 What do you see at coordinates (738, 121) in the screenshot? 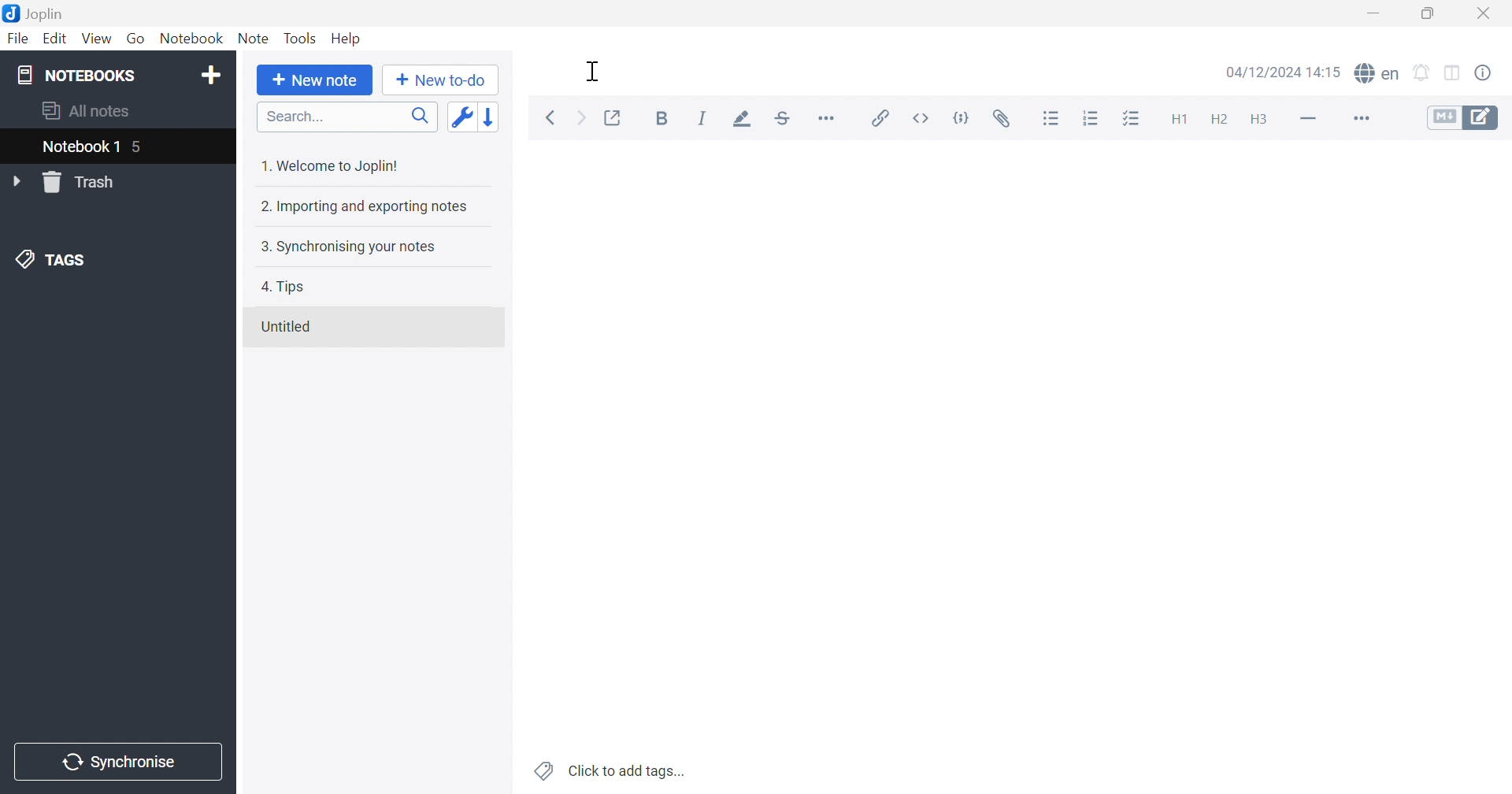
I see `Highlight` at bounding box center [738, 121].